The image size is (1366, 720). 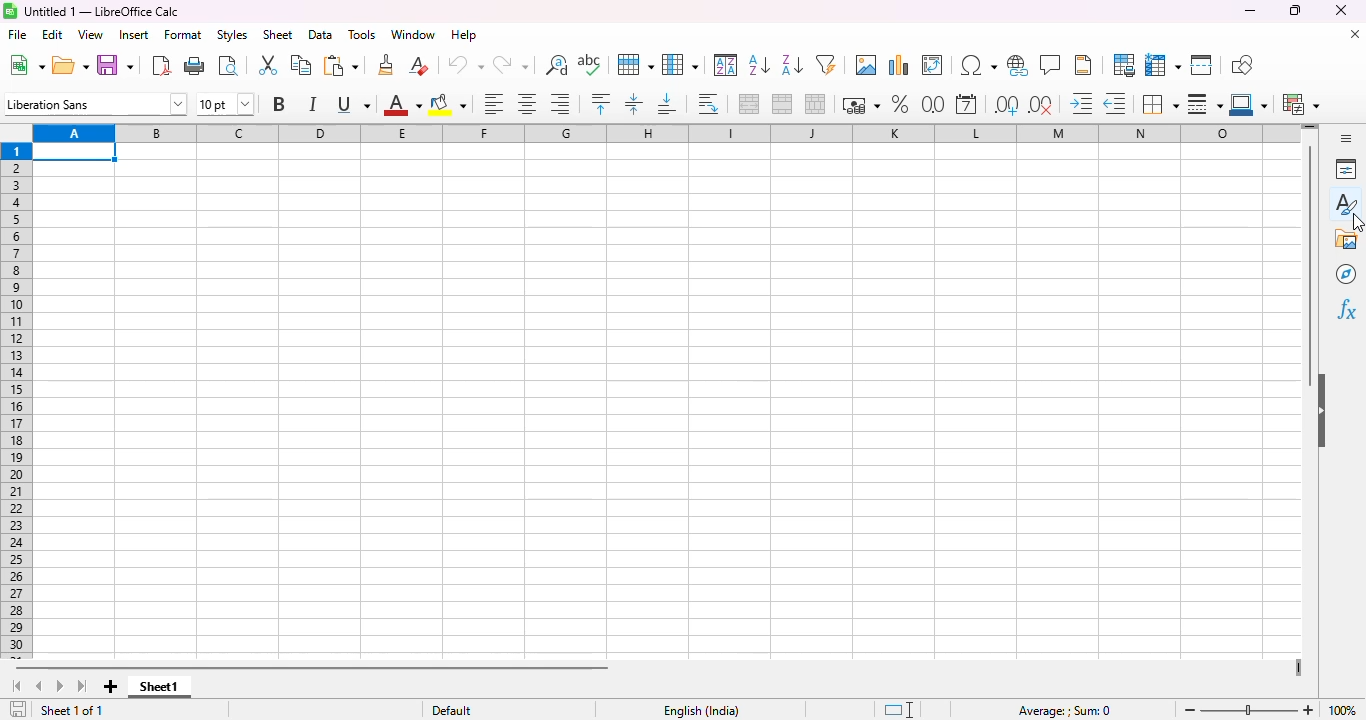 I want to click on gallery, so click(x=1347, y=239).